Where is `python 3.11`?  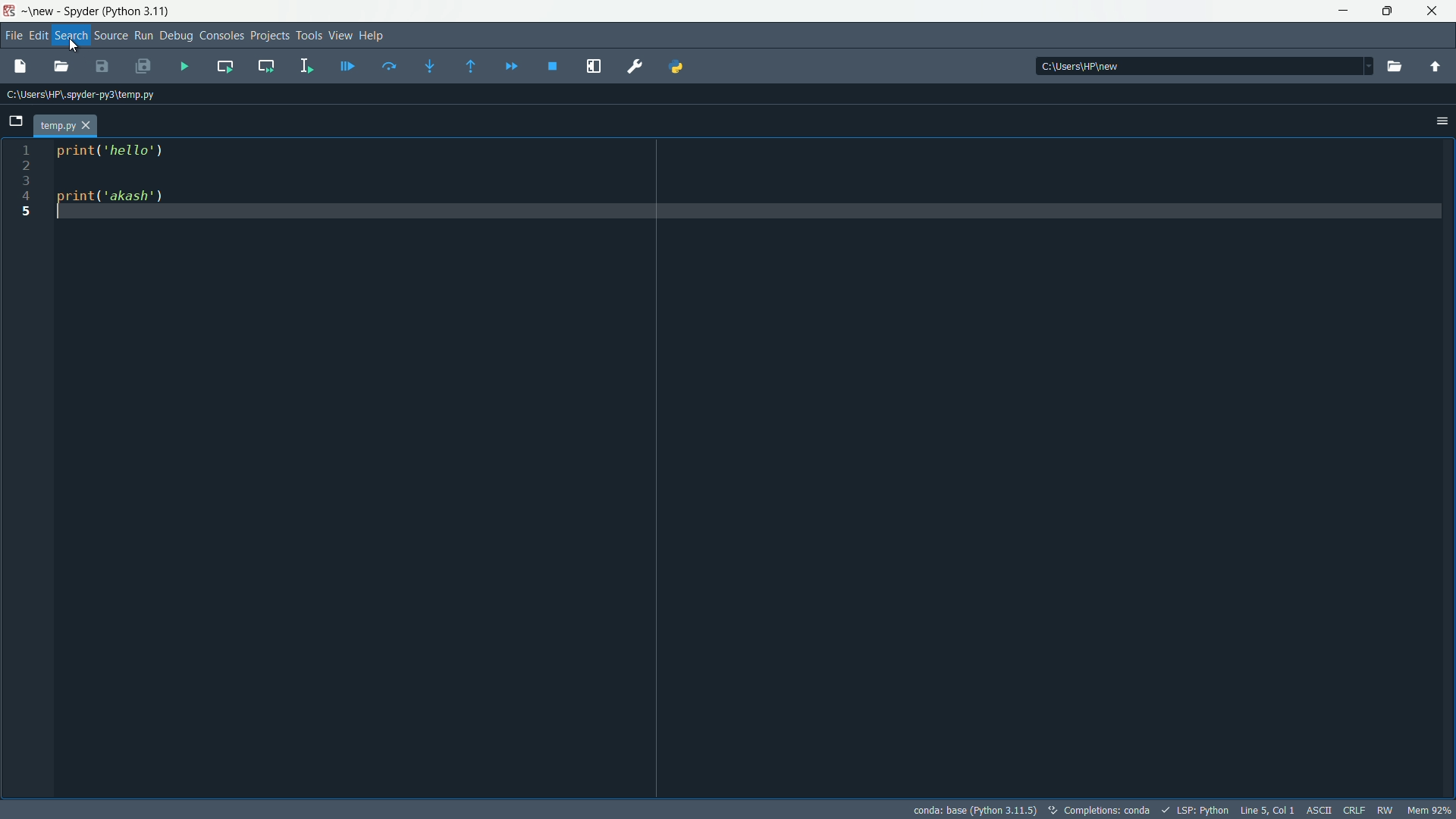 python 3.11 is located at coordinates (136, 11).